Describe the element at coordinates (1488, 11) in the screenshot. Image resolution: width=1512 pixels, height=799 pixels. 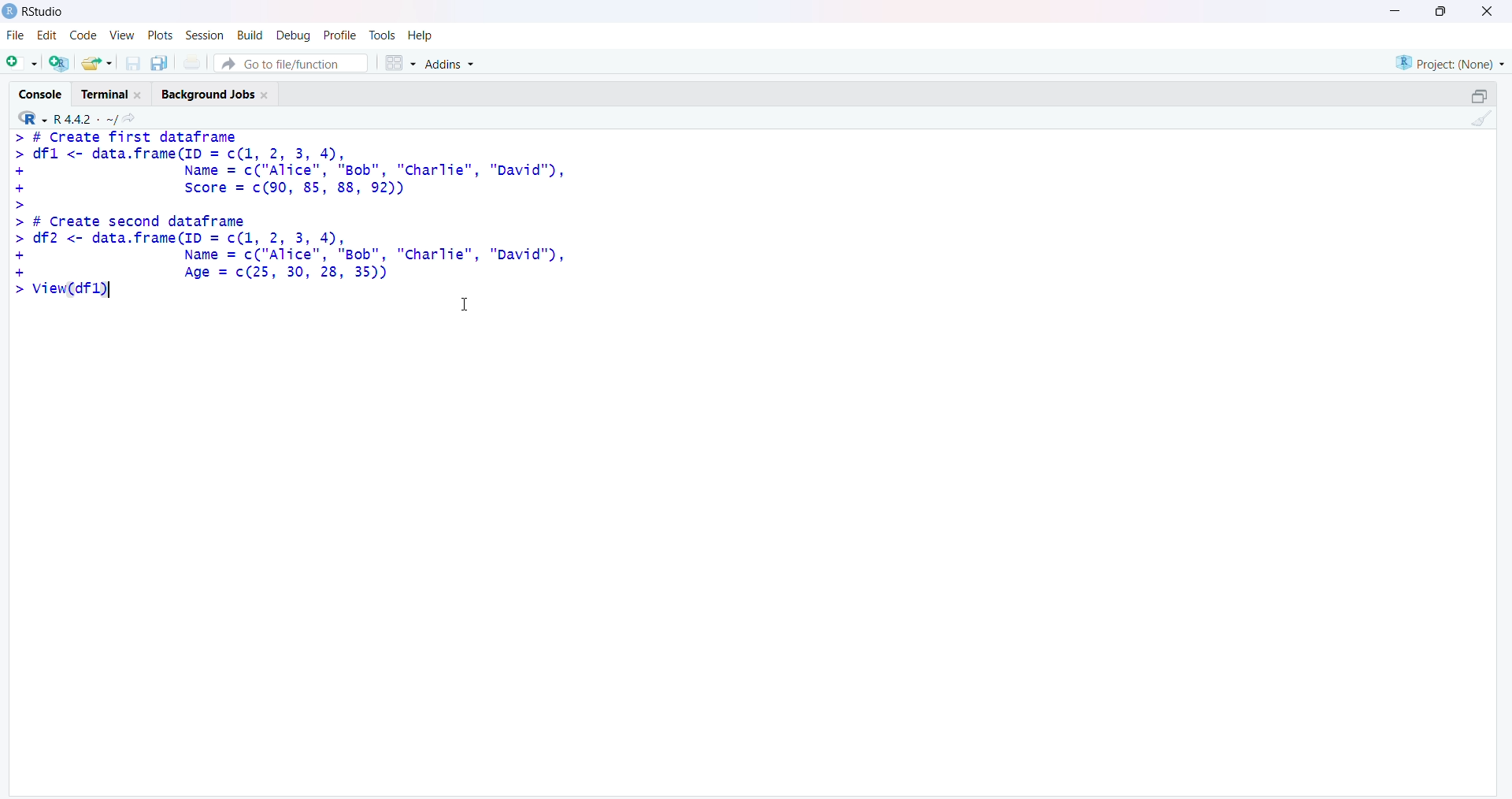
I see `close` at that location.